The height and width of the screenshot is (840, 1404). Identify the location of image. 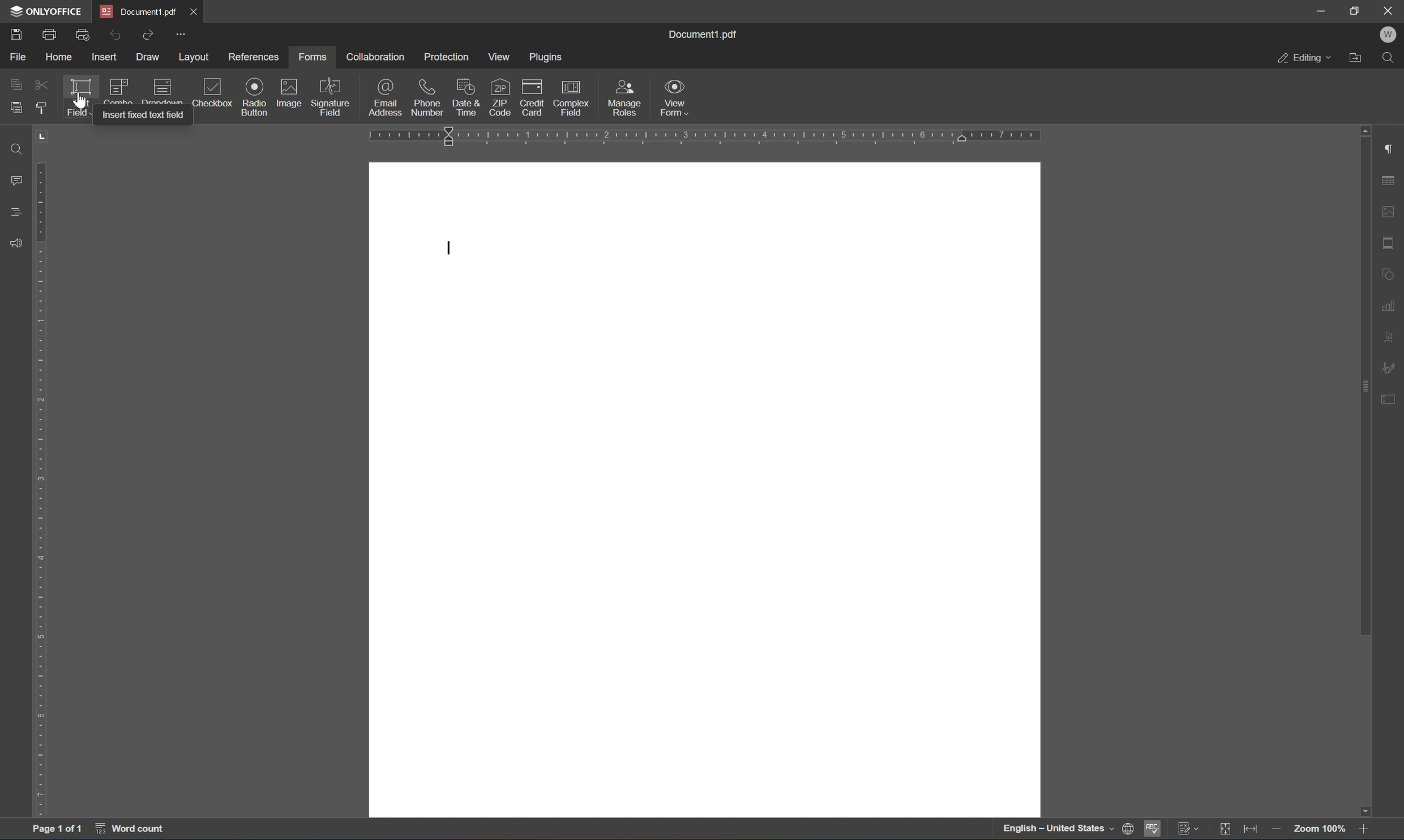
(288, 96).